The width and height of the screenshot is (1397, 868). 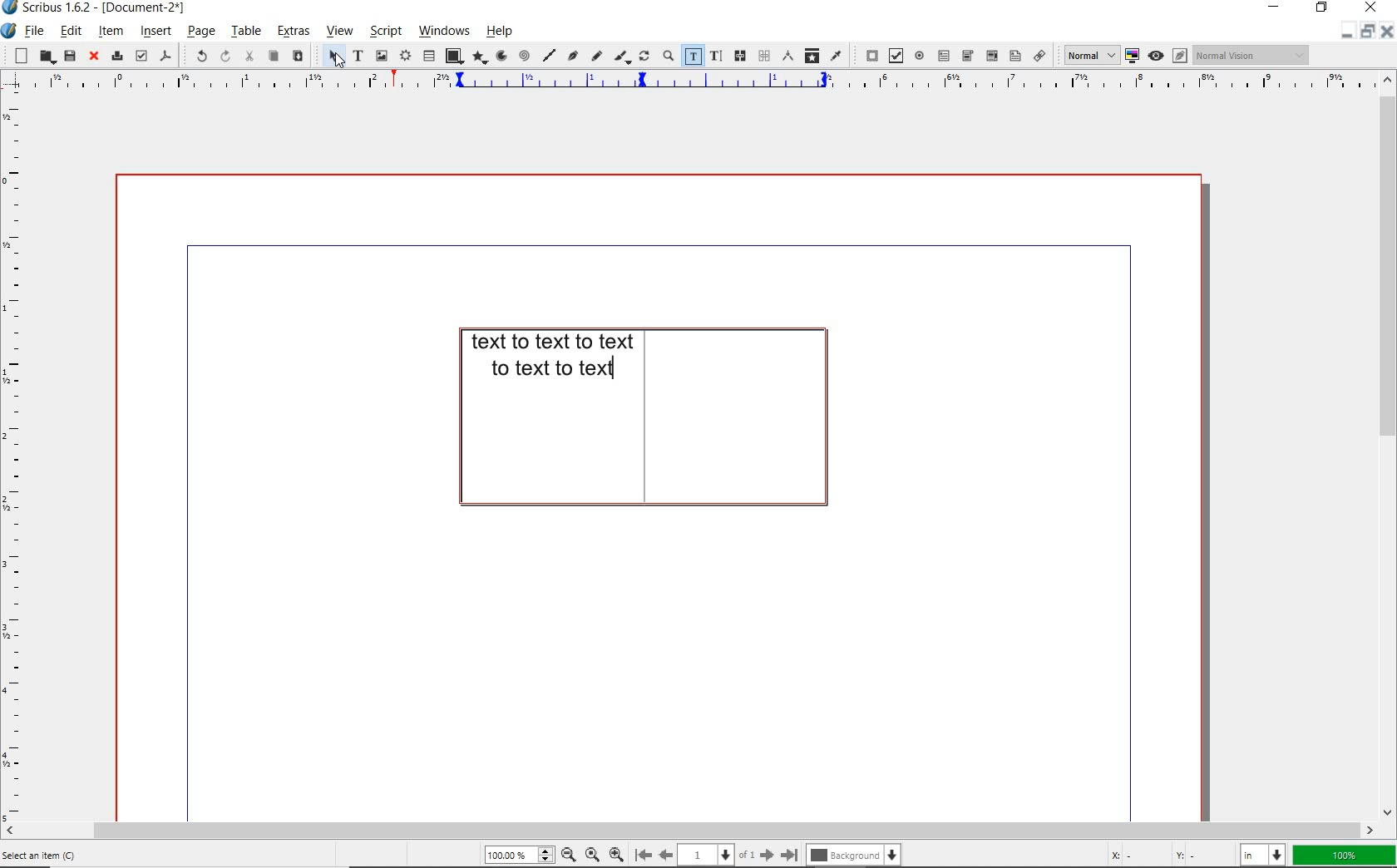 I want to click on pdf combo box, so click(x=990, y=55).